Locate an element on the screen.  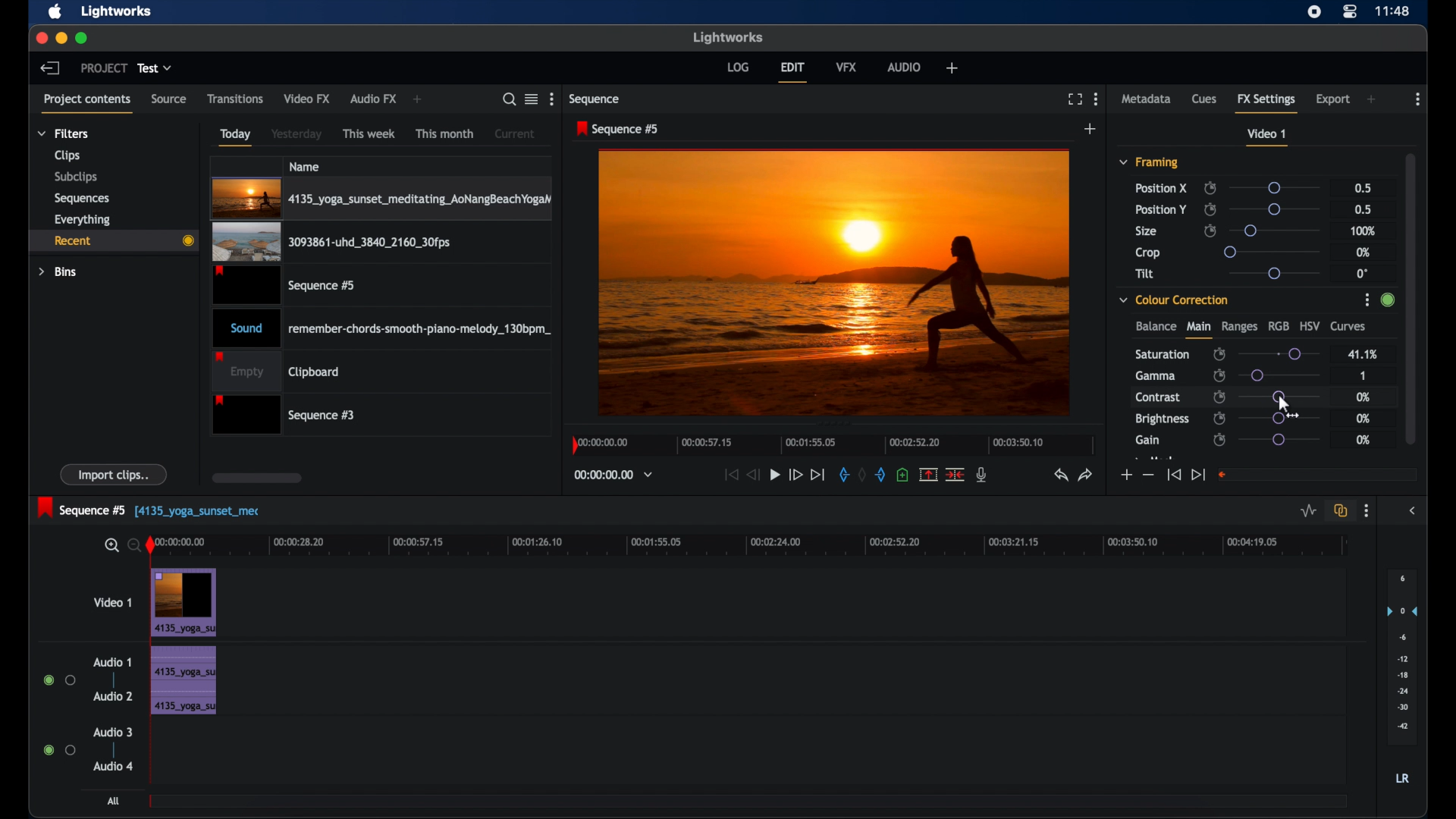
audio 3 is located at coordinates (112, 732).